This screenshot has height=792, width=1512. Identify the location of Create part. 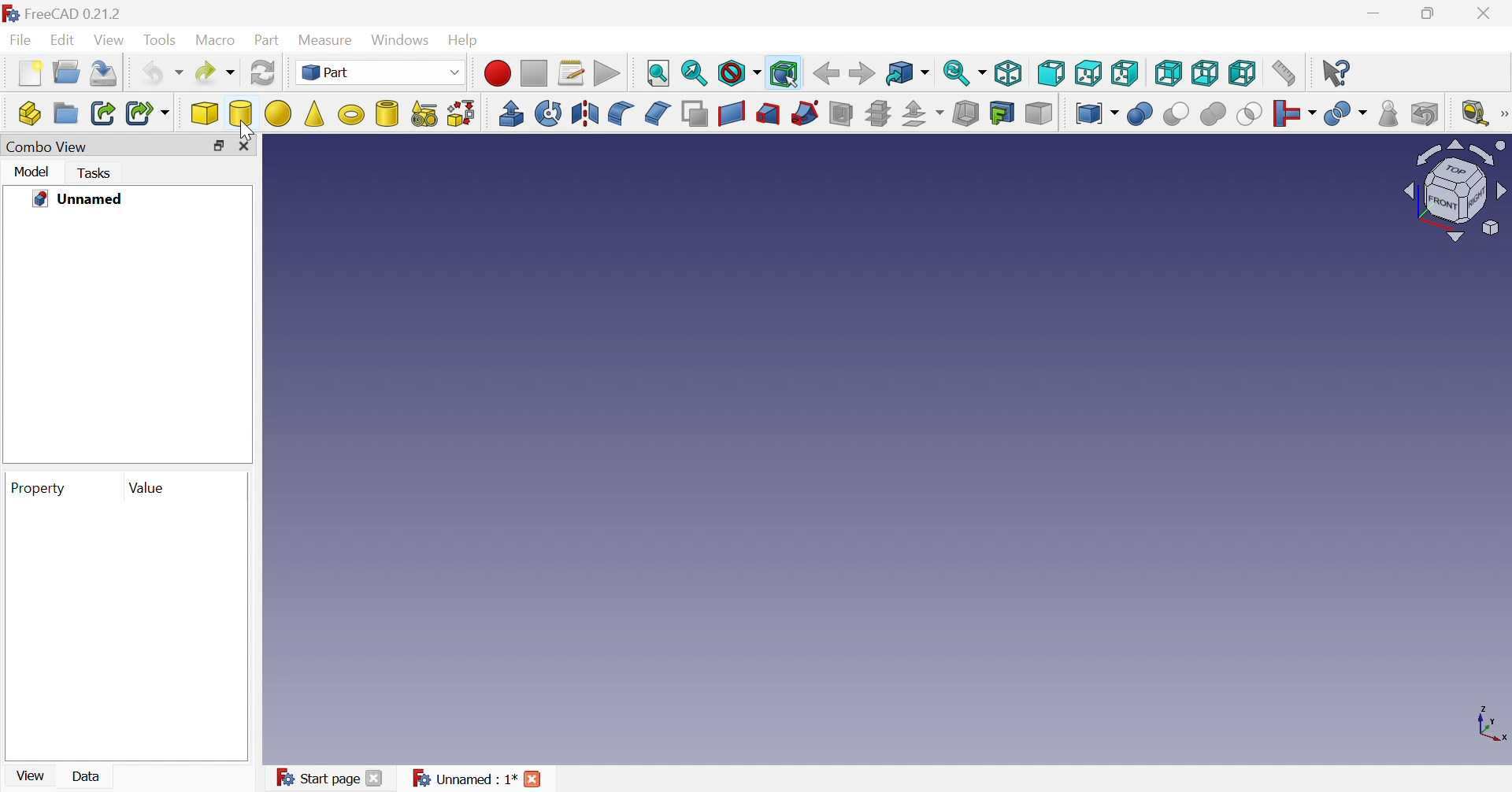
(28, 112).